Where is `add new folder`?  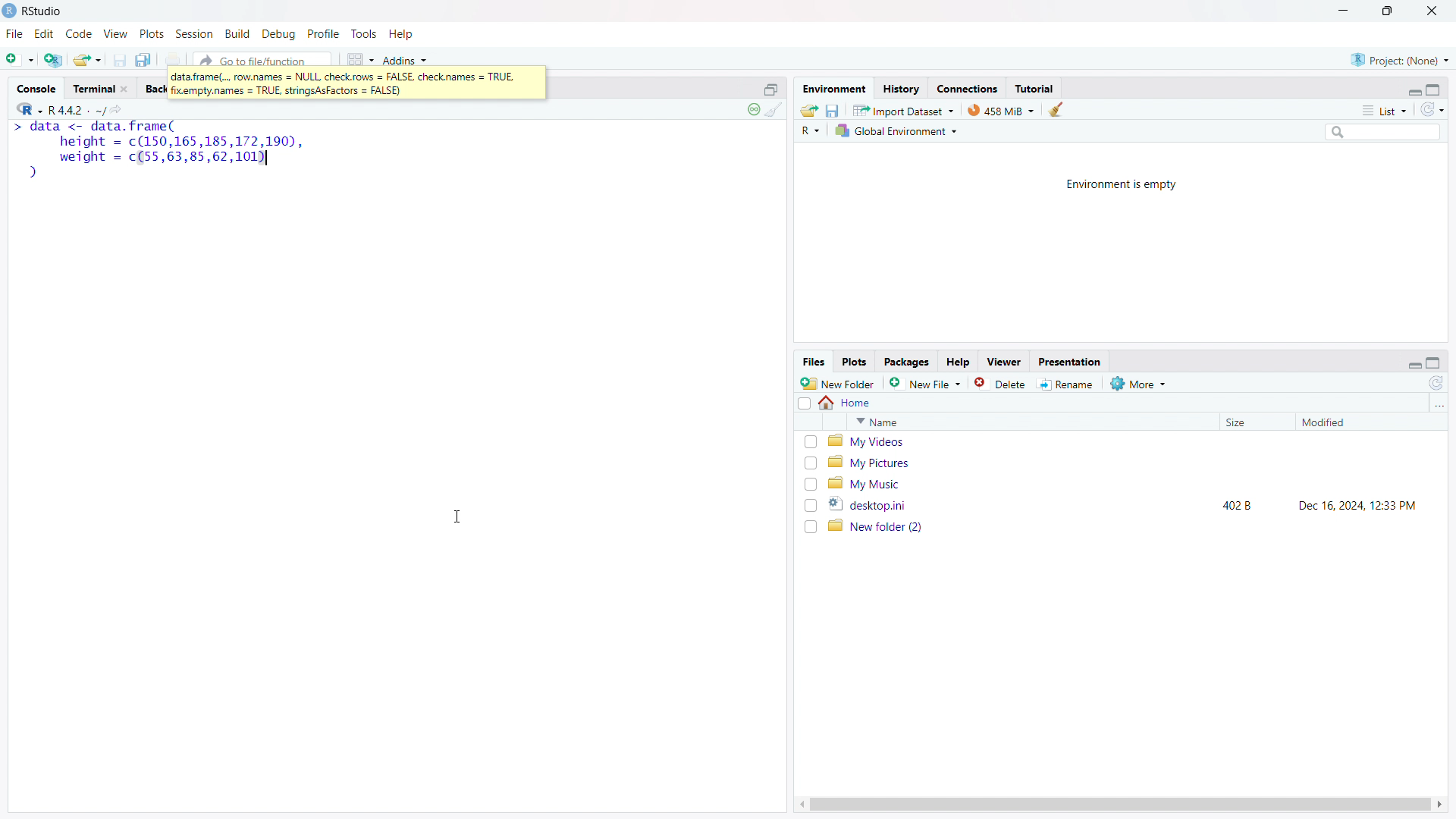
add new folder is located at coordinates (838, 383).